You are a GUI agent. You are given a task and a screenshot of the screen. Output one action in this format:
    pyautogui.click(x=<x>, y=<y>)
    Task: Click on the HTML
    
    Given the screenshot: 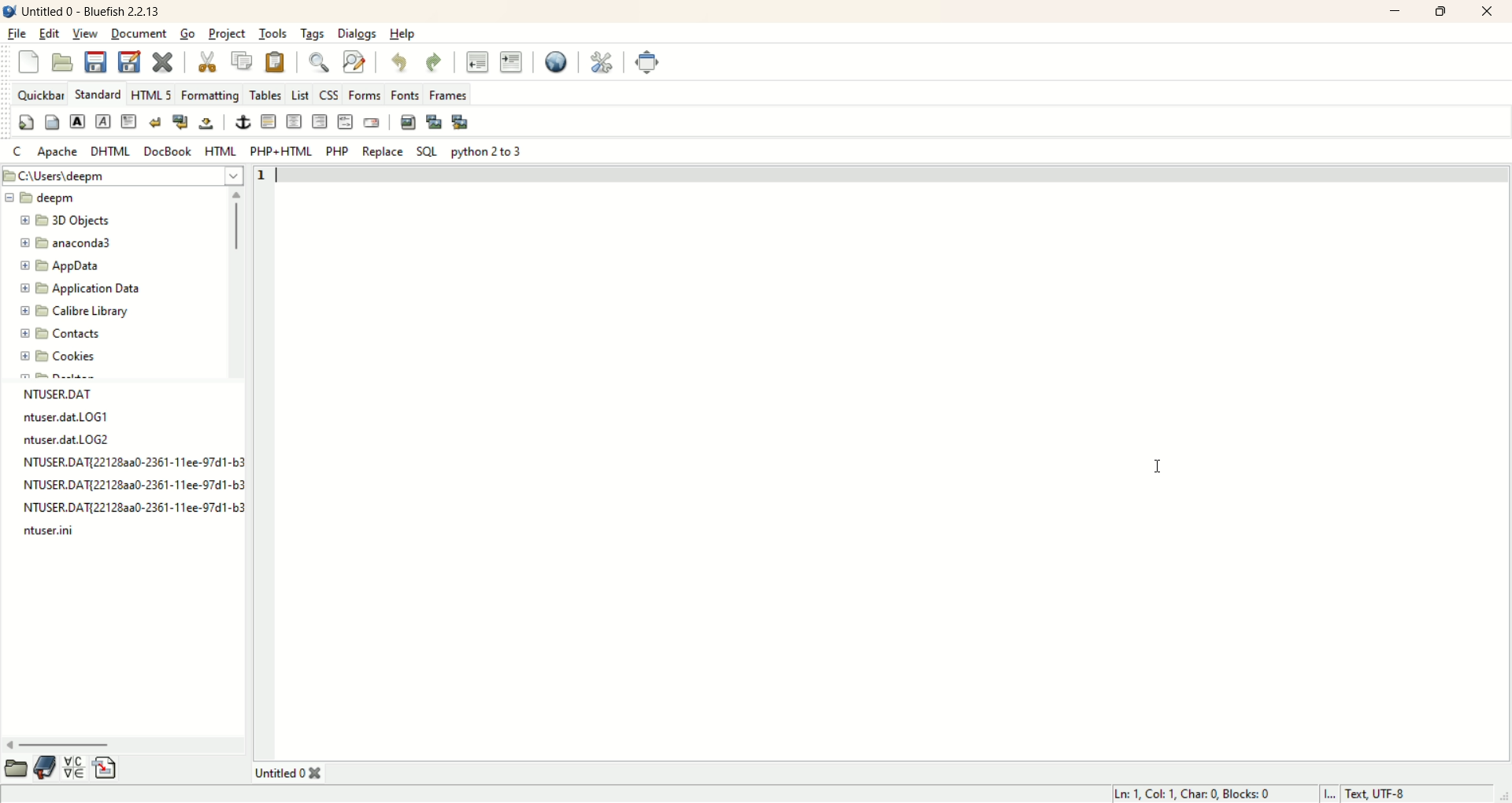 What is the action you would take?
    pyautogui.click(x=218, y=150)
    